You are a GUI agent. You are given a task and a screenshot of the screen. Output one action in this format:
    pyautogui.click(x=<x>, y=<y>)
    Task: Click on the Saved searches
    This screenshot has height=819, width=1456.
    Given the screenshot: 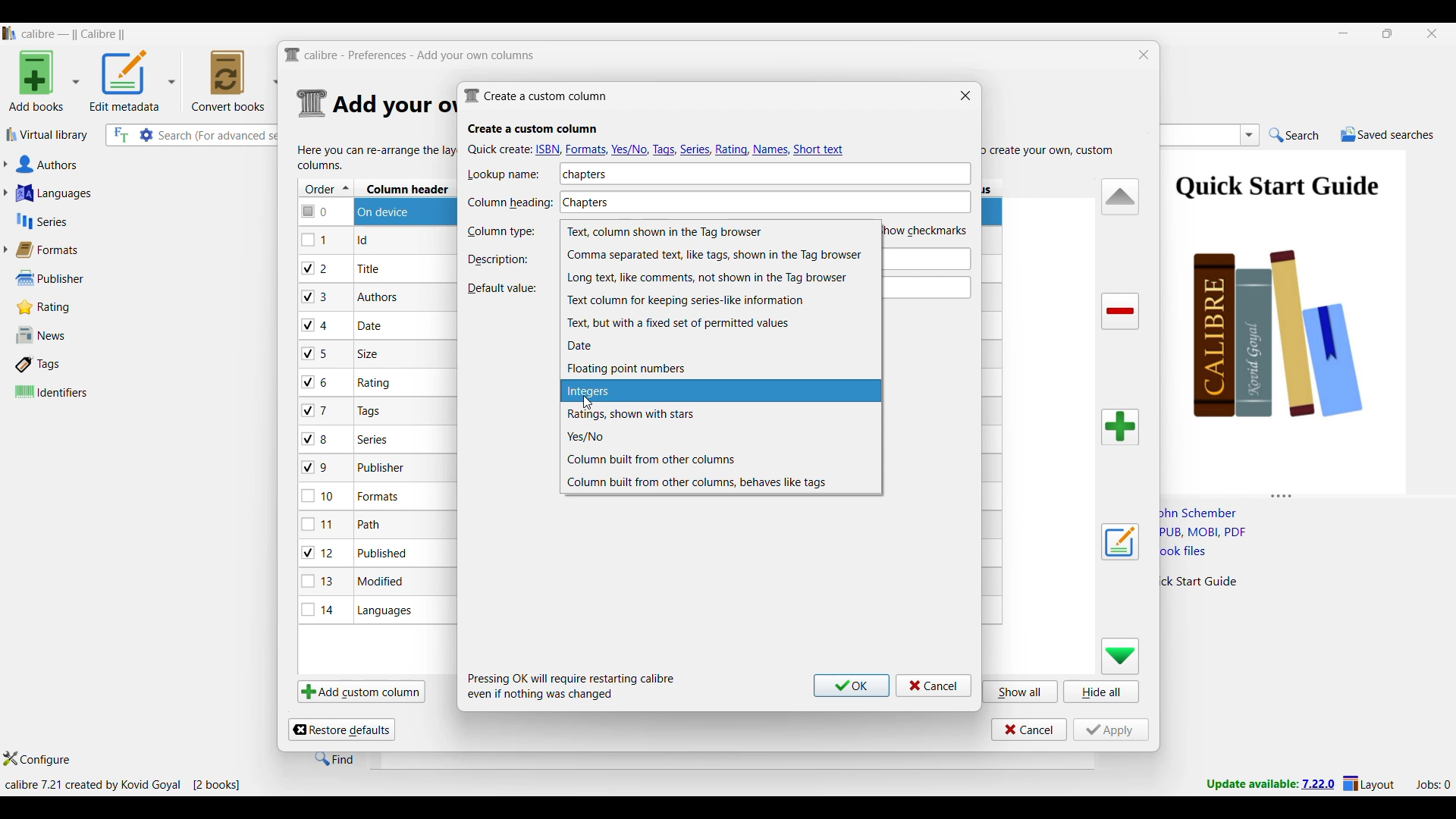 What is the action you would take?
    pyautogui.click(x=1387, y=134)
    